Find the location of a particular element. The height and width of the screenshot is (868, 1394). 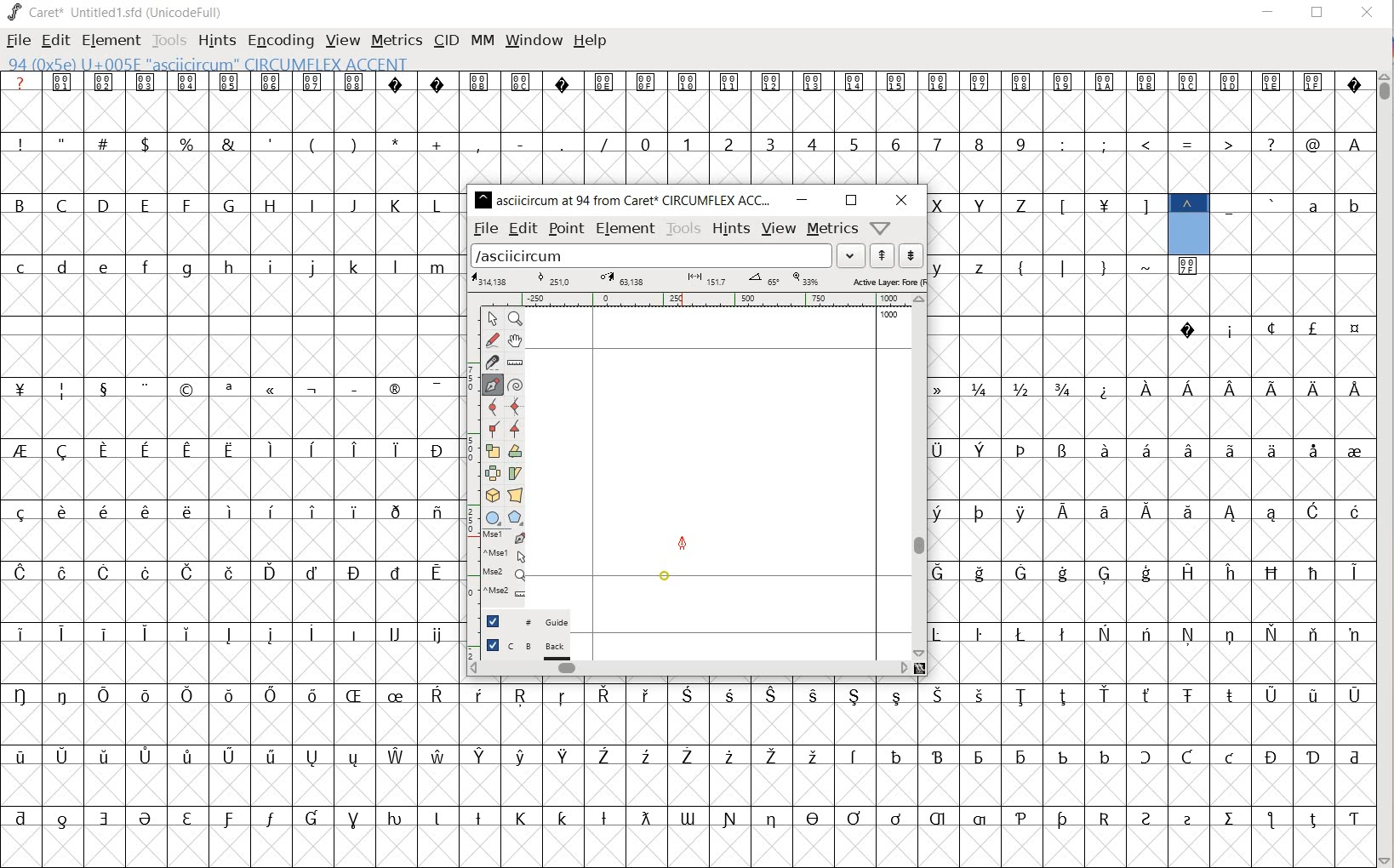

Add a corner point is located at coordinates (491, 428).